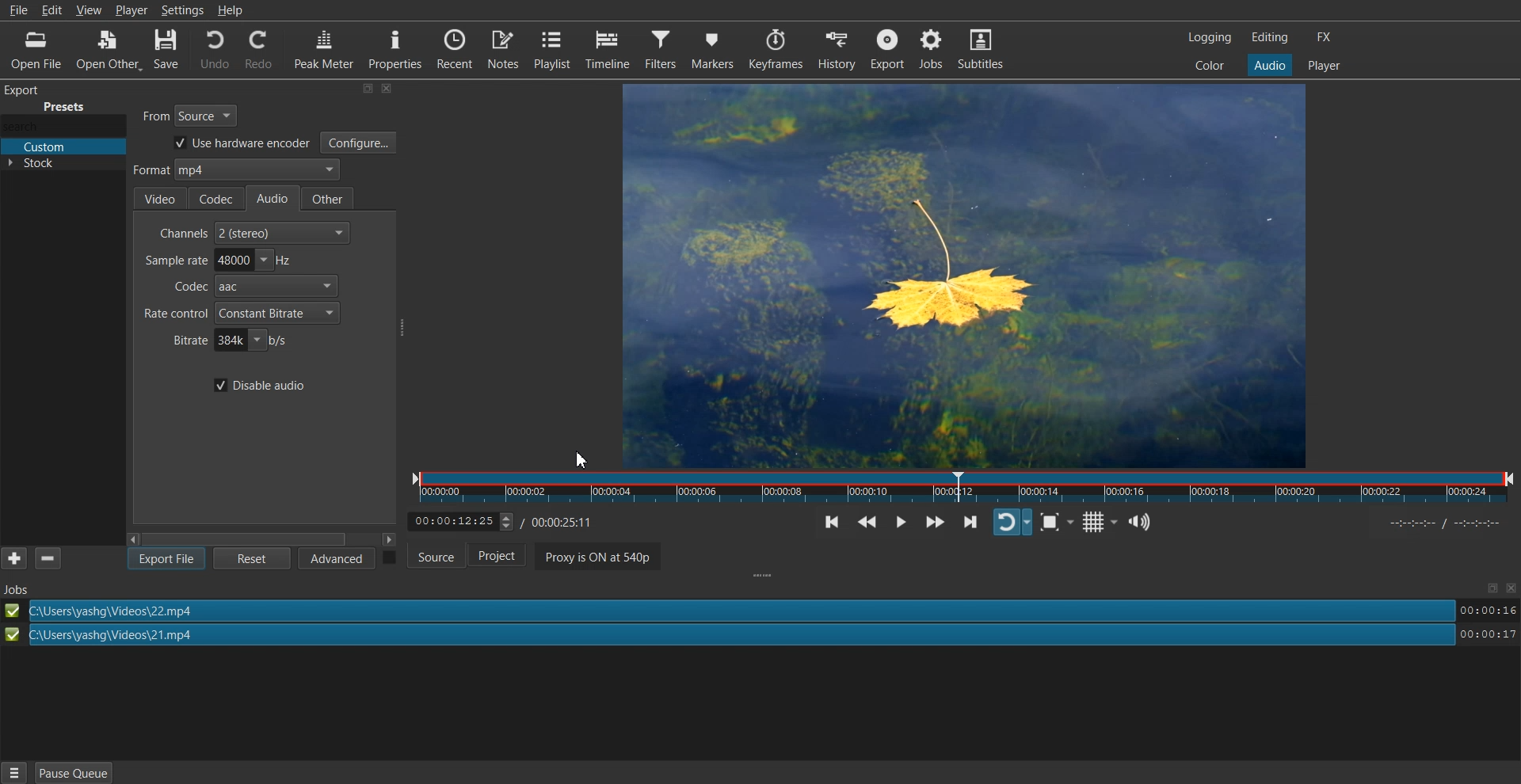  Describe the element at coordinates (830, 520) in the screenshot. I see `Skip to the previous point` at that location.